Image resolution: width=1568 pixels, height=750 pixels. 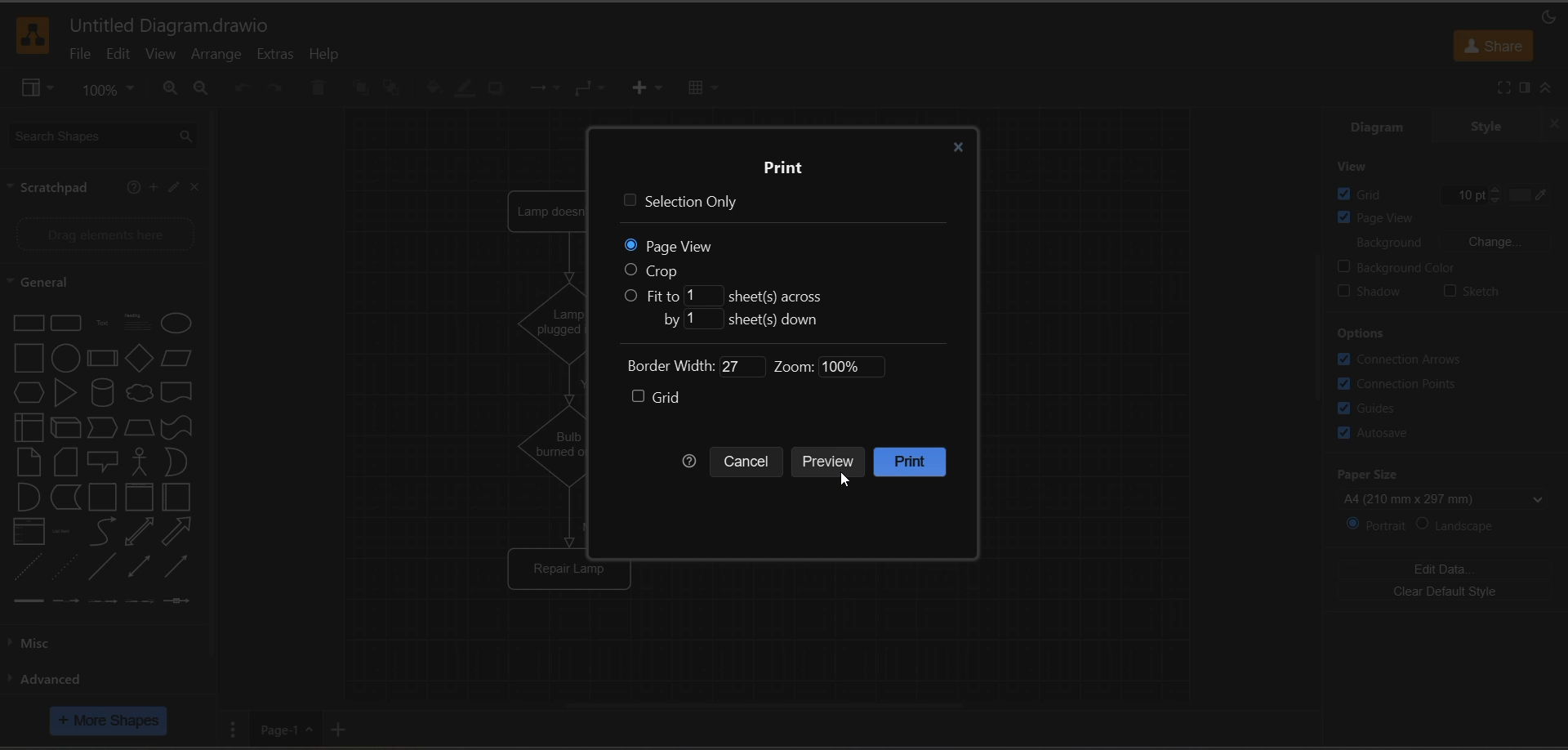 What do you see at coordinates (1405, 386) in the screenshot?
I see `connection points` at bounding box center [1405, 386].